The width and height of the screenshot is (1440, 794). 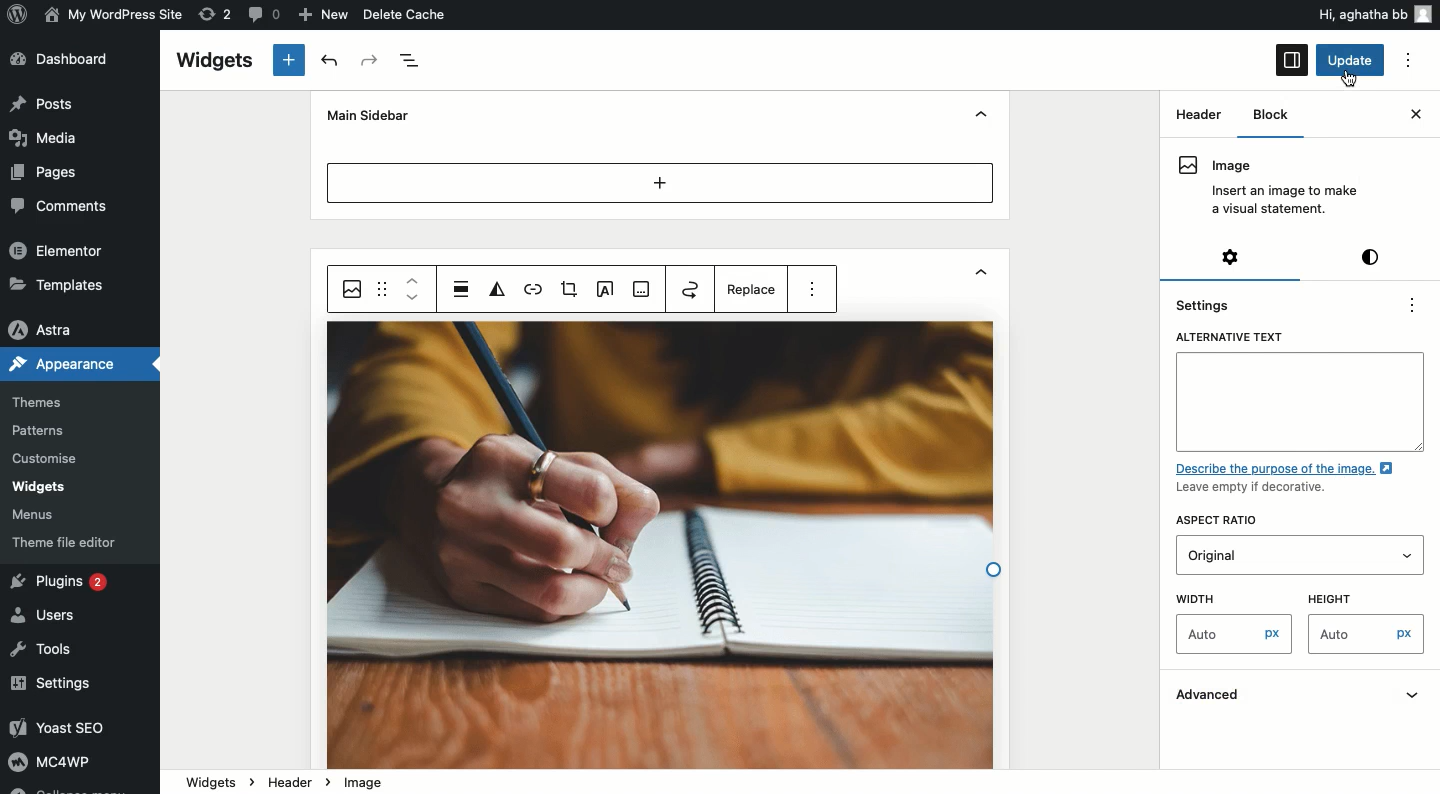 I want to click on Tools, so click(x=43, y=651).